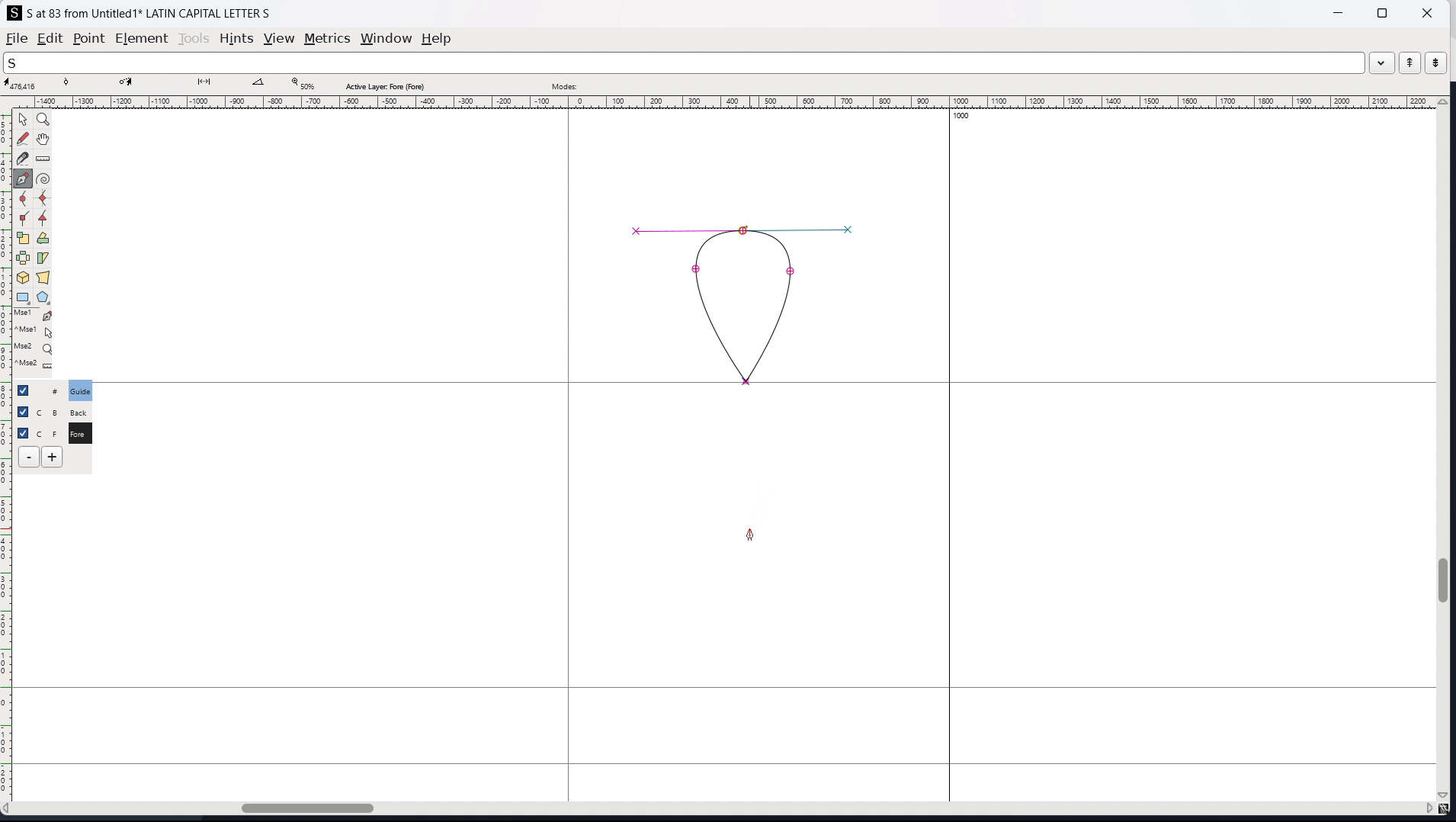 The image size is (1456, 822). What do you see at coordinates (86, 84) in the screenshot?
I see `curve point coordinate` at bounding box center [86, 84].